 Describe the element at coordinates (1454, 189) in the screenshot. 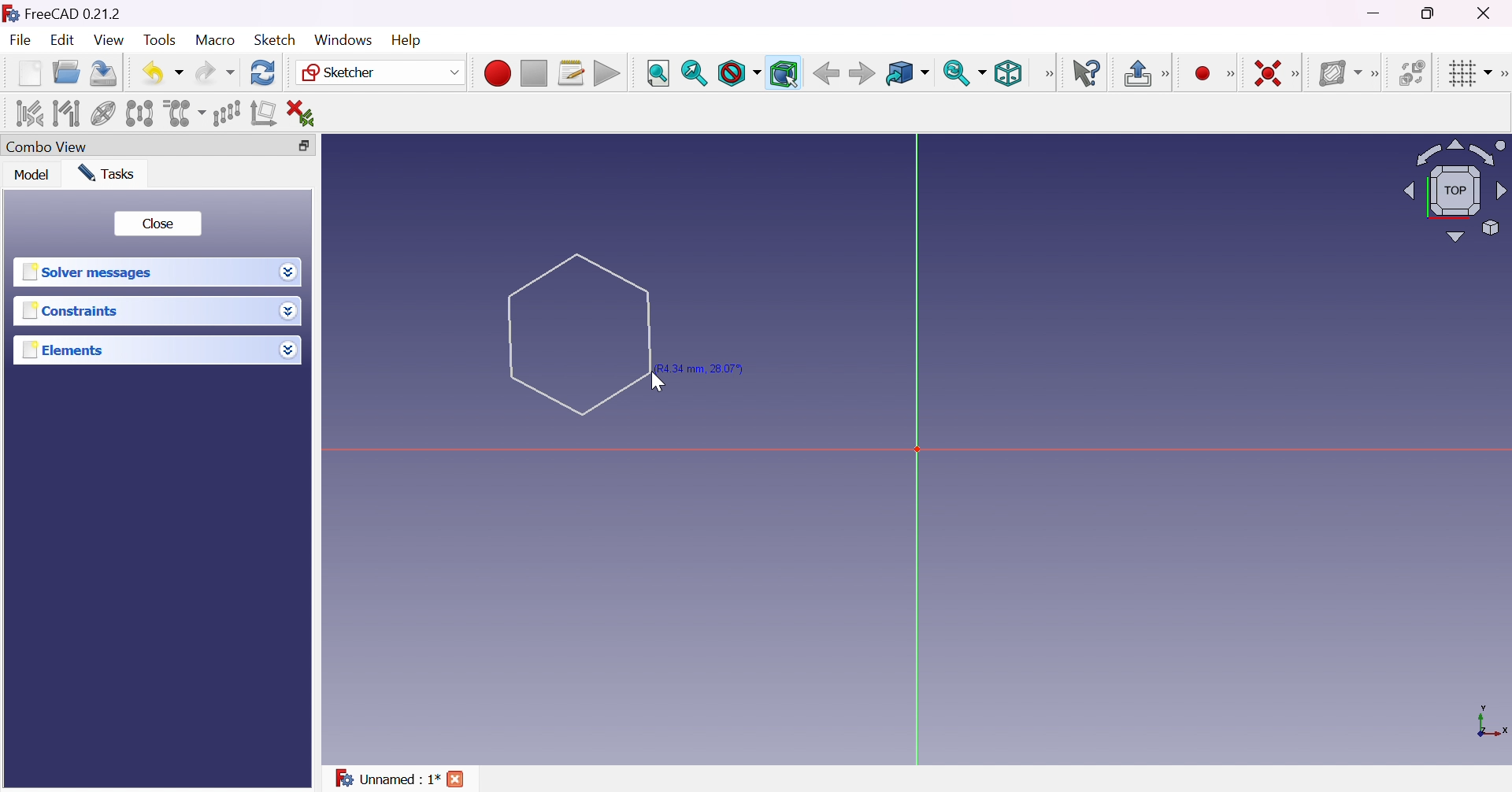

I see `Viewing angle` at that location.